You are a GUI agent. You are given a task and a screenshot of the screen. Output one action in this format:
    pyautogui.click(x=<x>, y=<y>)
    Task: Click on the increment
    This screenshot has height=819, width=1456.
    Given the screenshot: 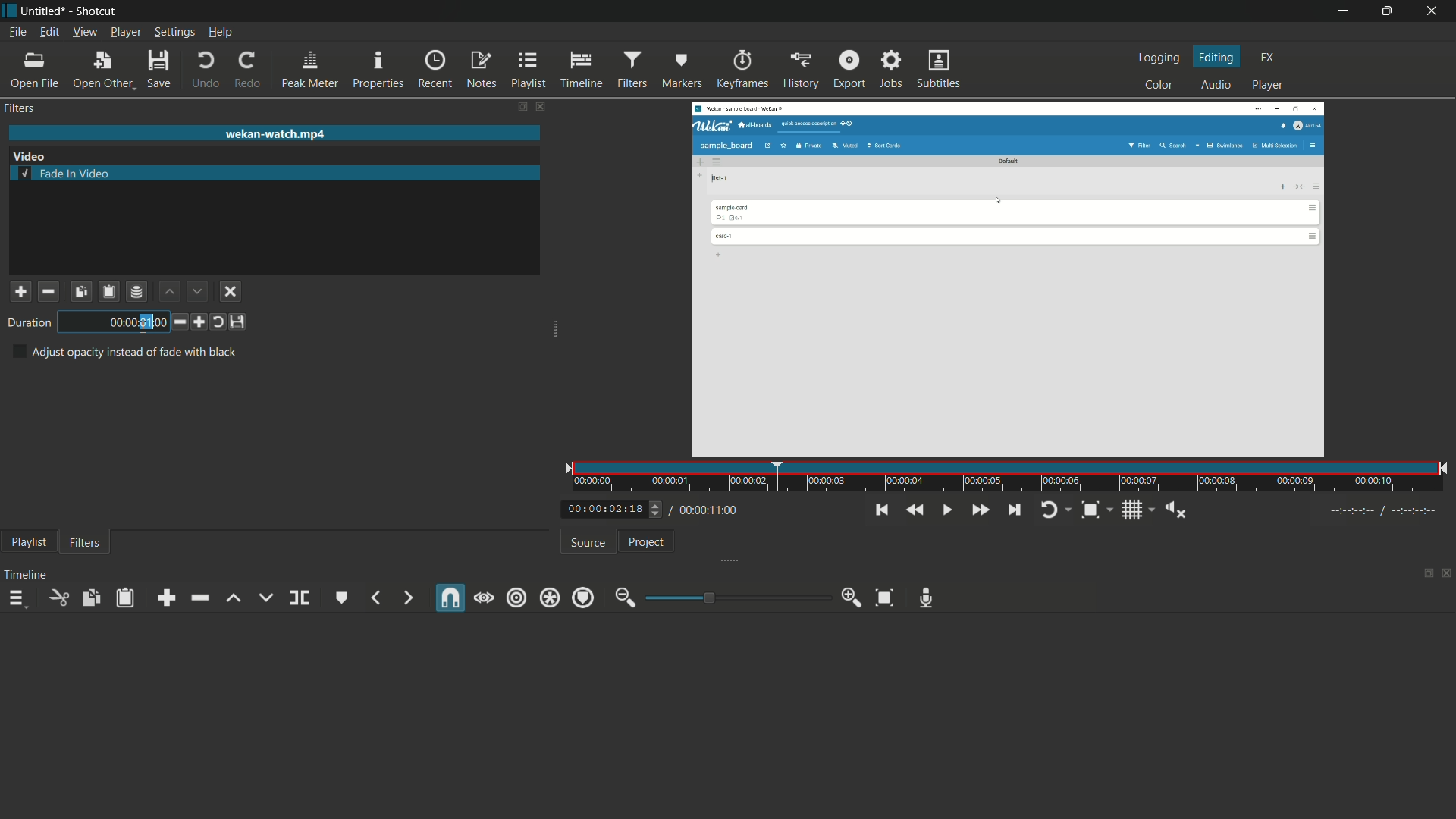 What is the action you would take?
    pyautogui.click(x=199, y=322)
    